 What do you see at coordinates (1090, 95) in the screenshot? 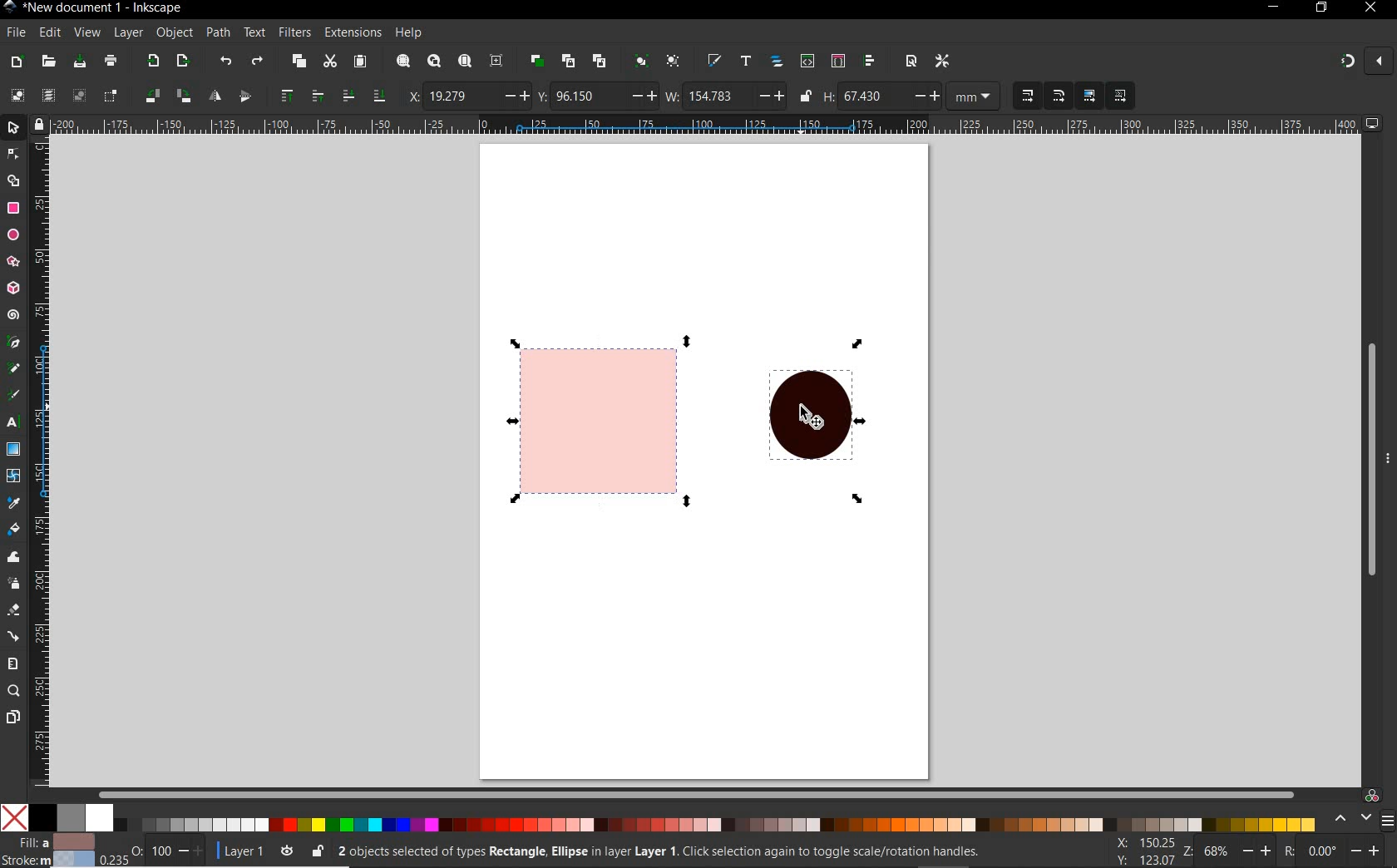
I see `move gradient` at bounding box center [1090, 95].